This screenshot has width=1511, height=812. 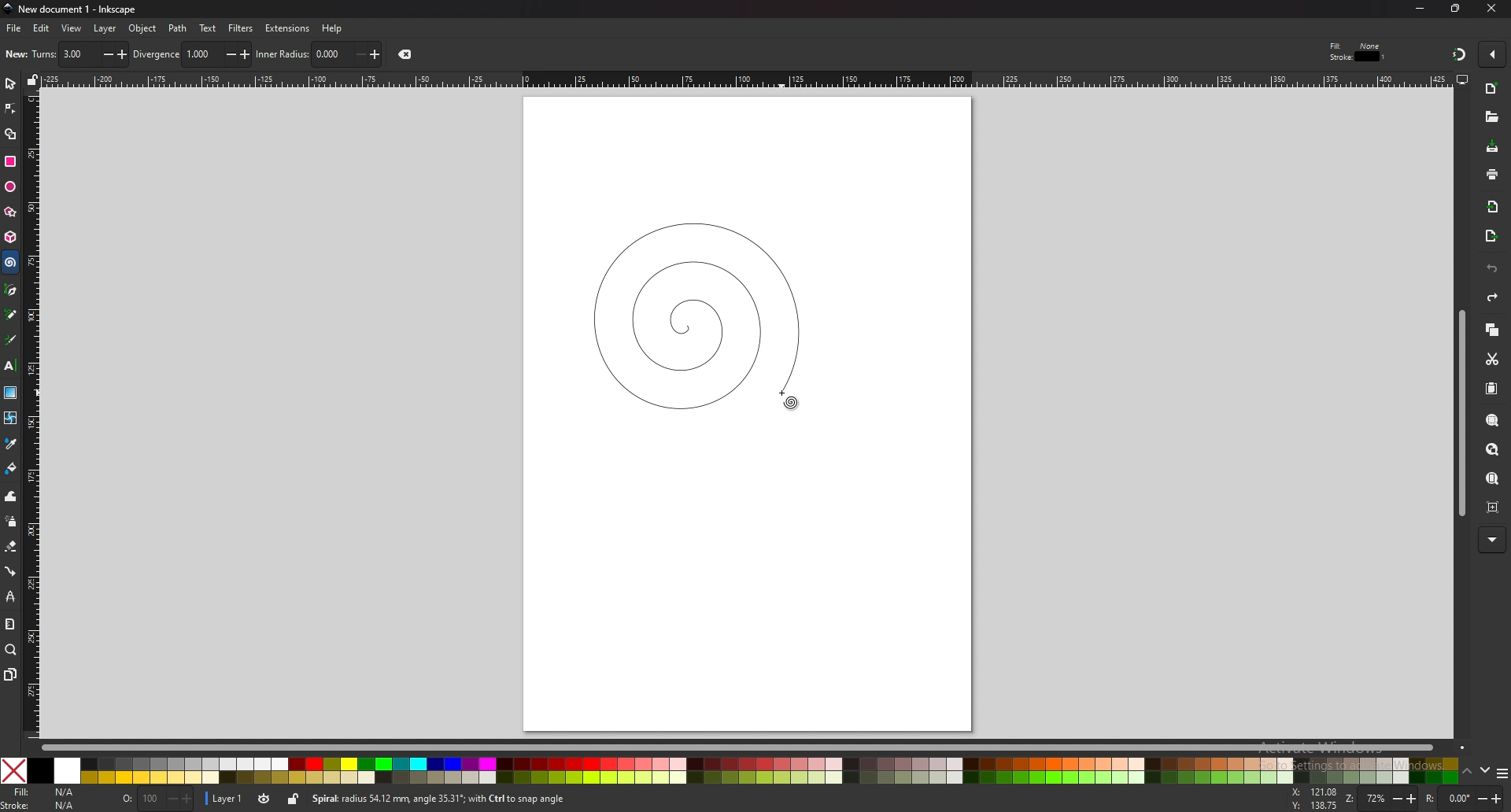 What do you see at coordinates (207, 28) in the screenshot?
I see `text` at bounding box center [207, 28].